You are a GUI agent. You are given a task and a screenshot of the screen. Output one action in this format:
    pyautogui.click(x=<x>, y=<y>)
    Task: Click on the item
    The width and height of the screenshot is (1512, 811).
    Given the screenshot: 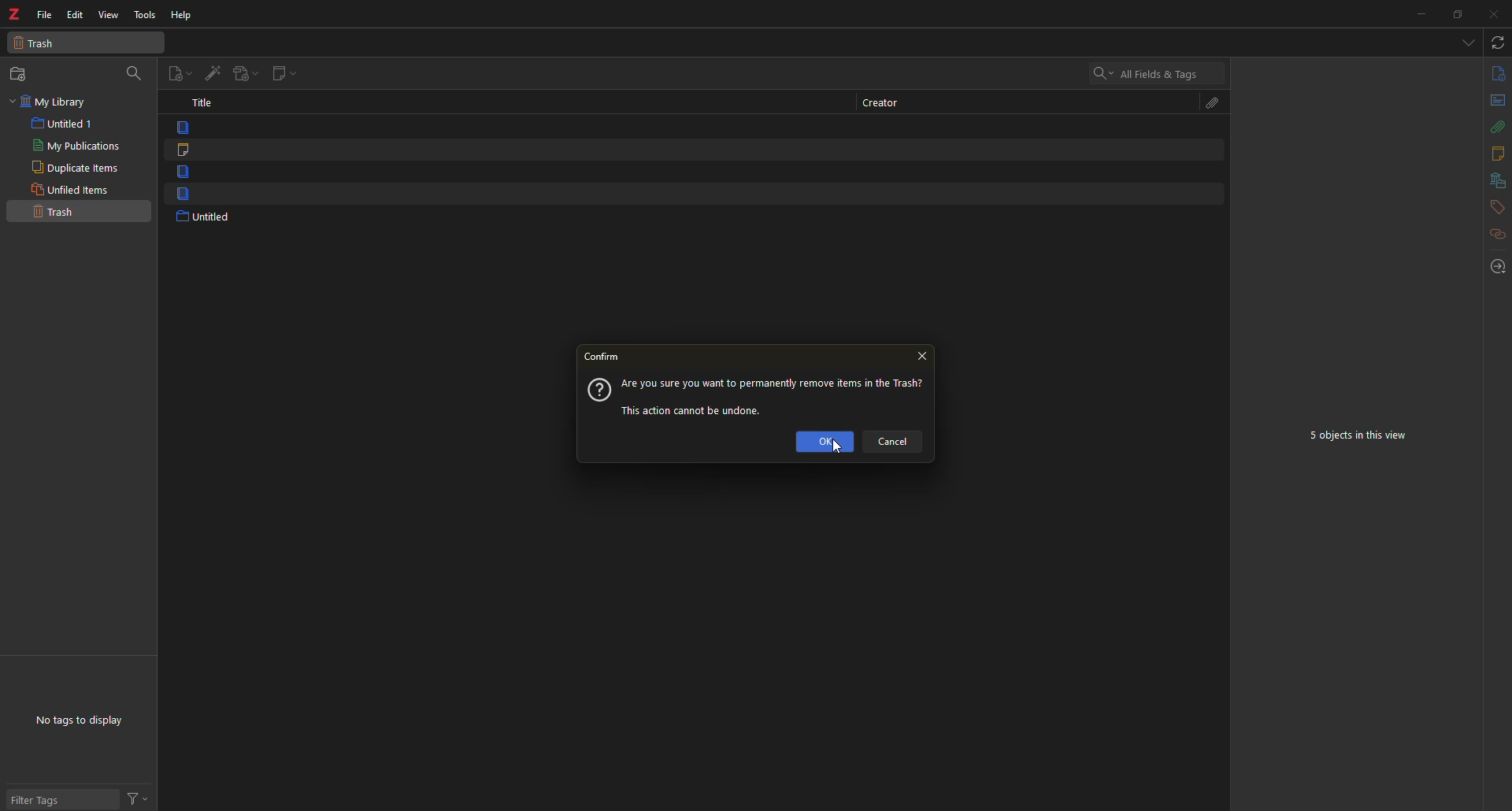 What is the action you would take?
    pyautogui.click(x=180, y=194)
    